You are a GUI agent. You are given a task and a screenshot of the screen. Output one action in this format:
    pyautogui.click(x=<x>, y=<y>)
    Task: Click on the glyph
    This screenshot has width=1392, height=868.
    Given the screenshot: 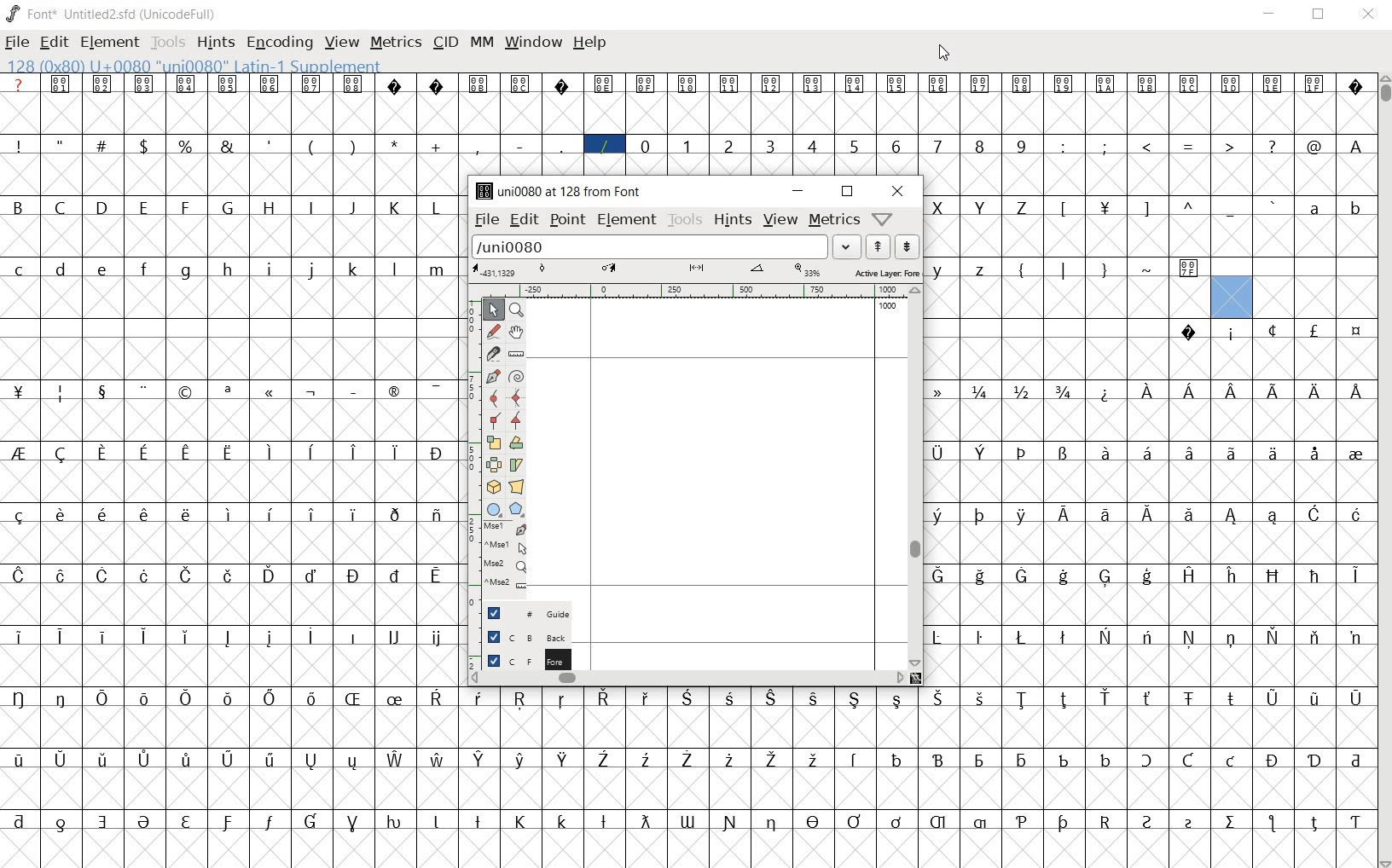 What is the action you would take?
    pyautogui.click(x=395, y=636)
    